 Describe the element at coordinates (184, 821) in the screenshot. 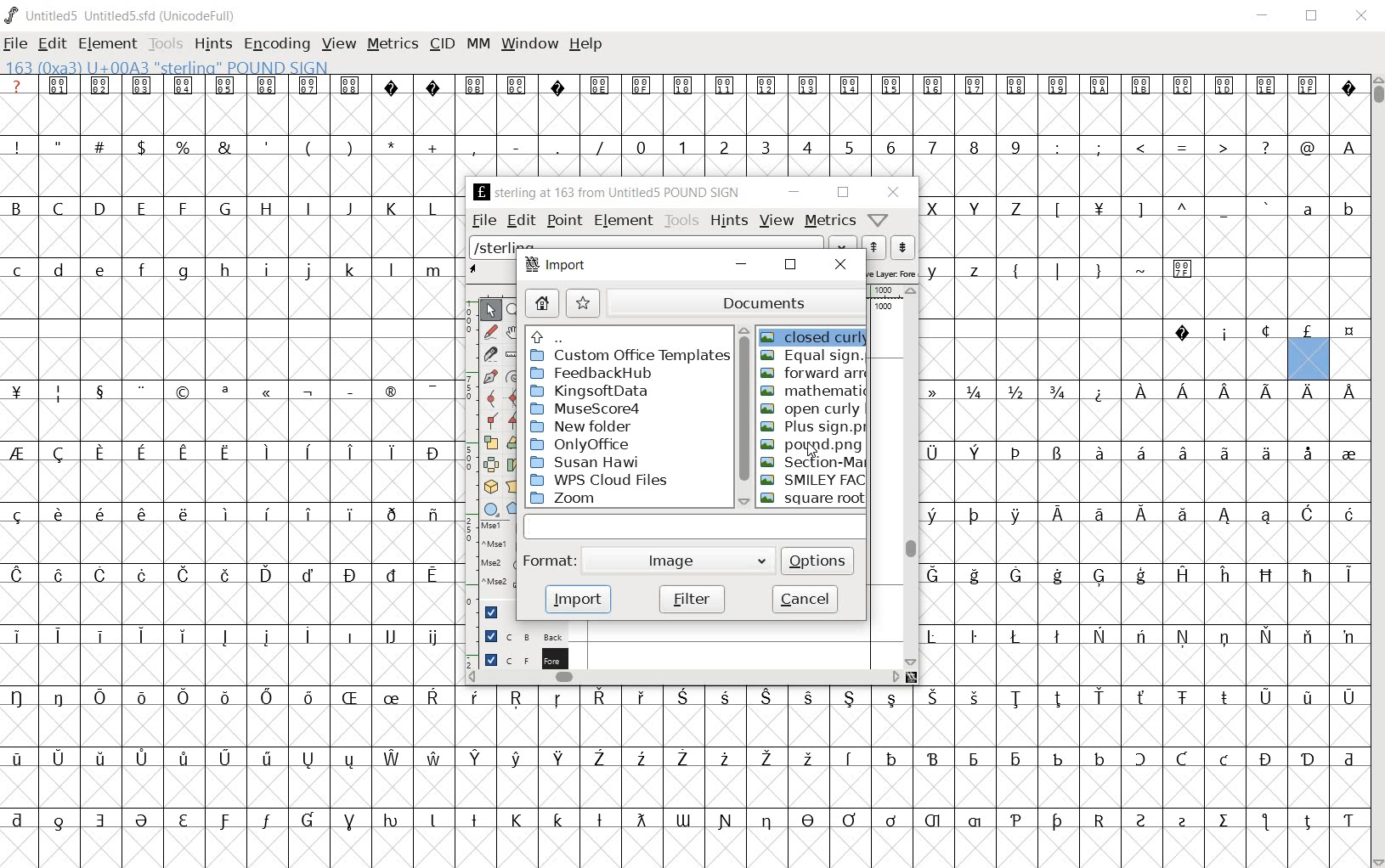

I see `Symbol` at that location.